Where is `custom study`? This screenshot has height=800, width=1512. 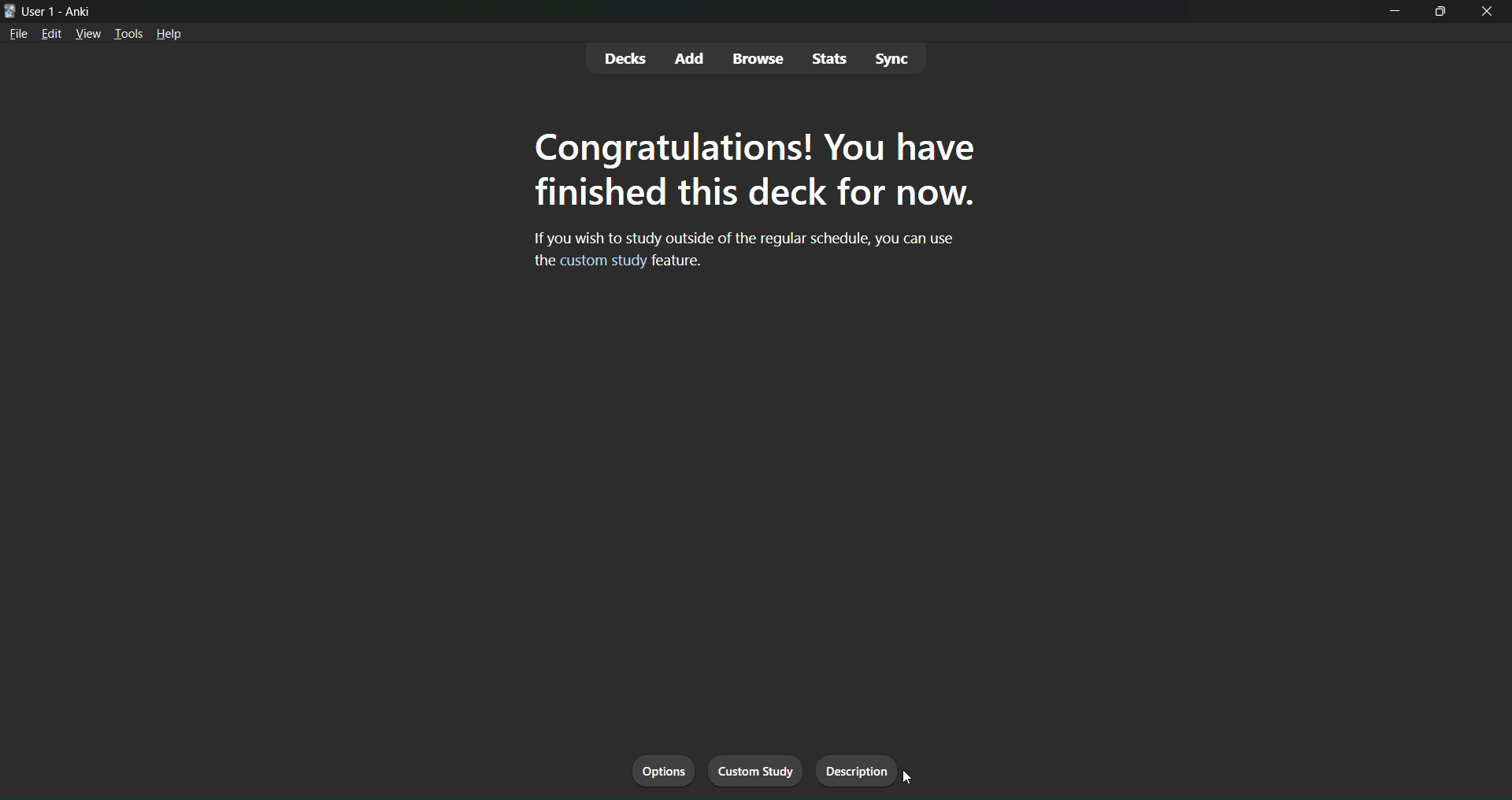
custom study is located at coordinates (603, 262).